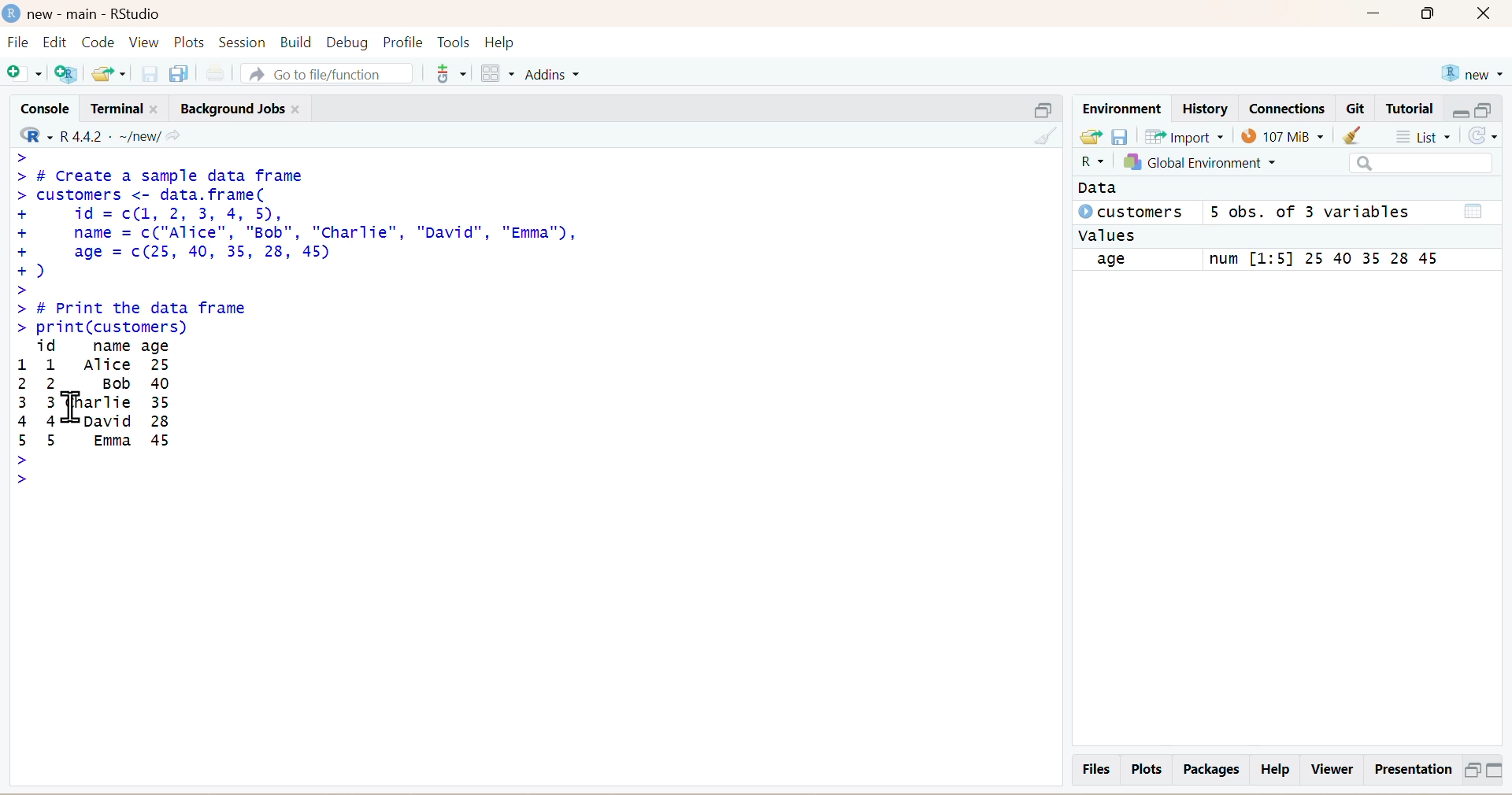  Describe the element at coordinates (17, 44) in the screenshot. I see `File` at that location.